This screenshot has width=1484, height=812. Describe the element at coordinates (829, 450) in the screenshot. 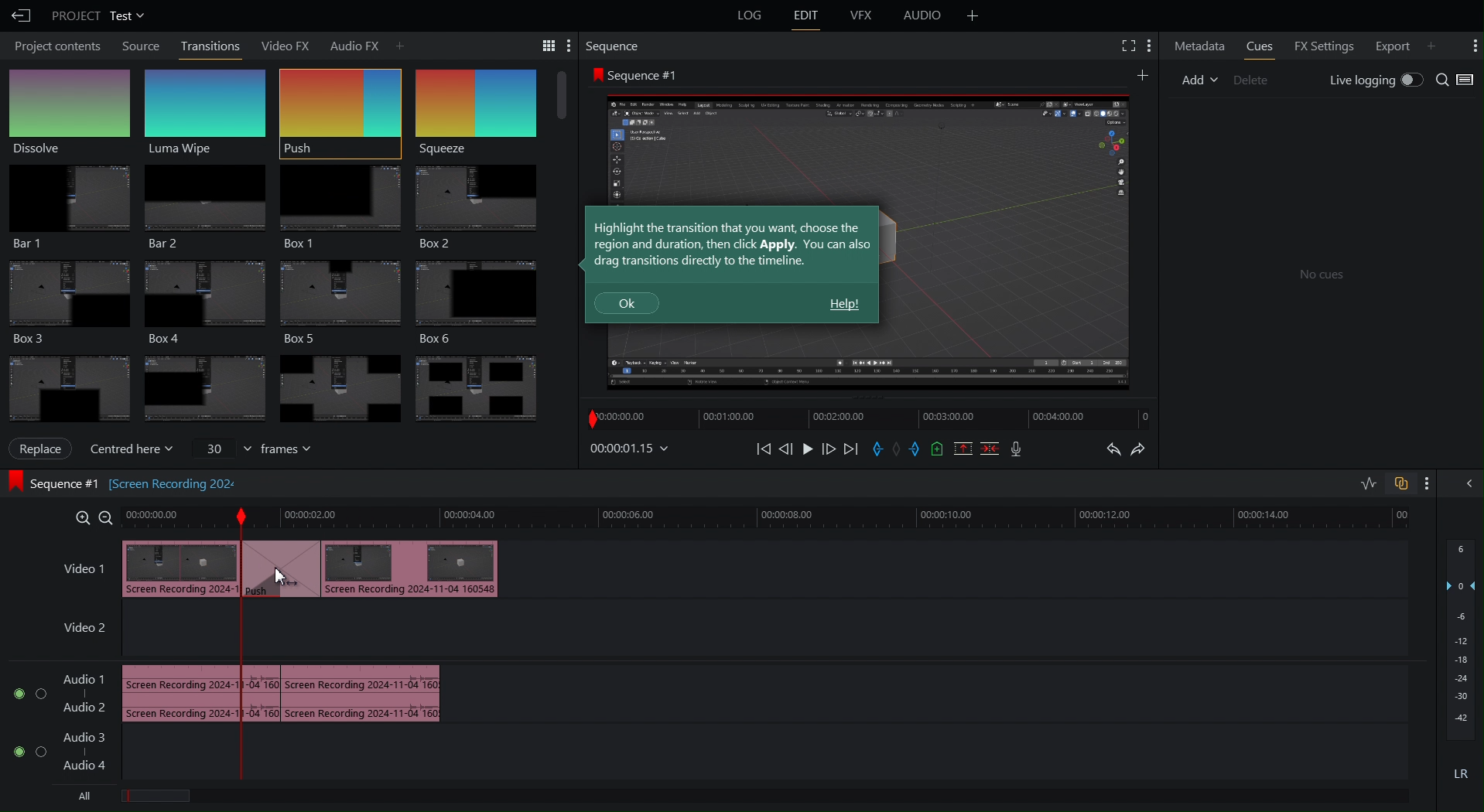

I see `Move Forward` at that location.